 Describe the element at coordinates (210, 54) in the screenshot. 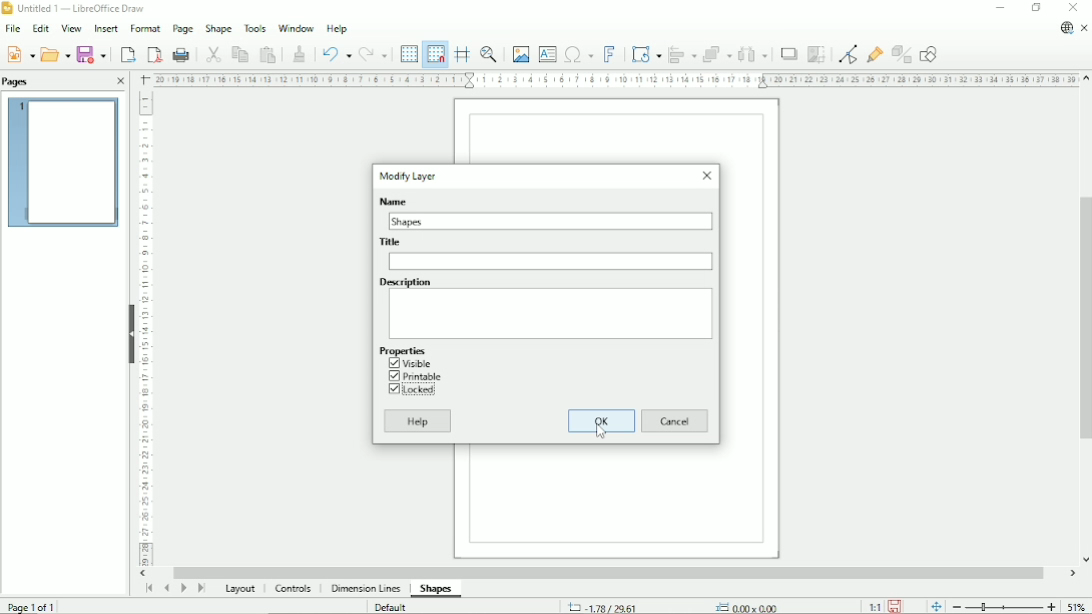

I see `Cut` at that location.